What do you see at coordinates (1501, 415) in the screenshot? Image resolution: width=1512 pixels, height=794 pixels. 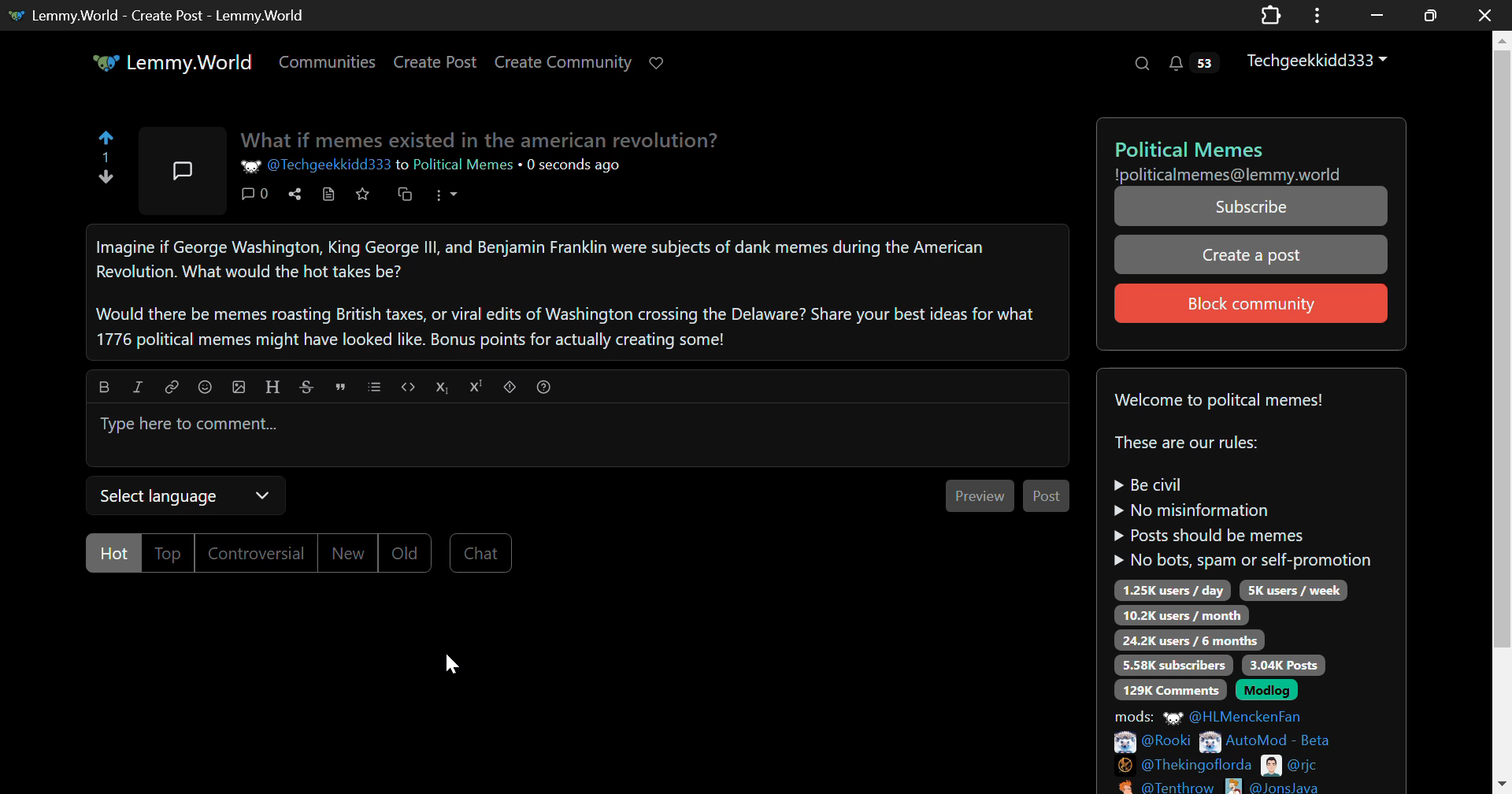 I see `Vertical Scroll Bar` at bounding box center [1501, 415].